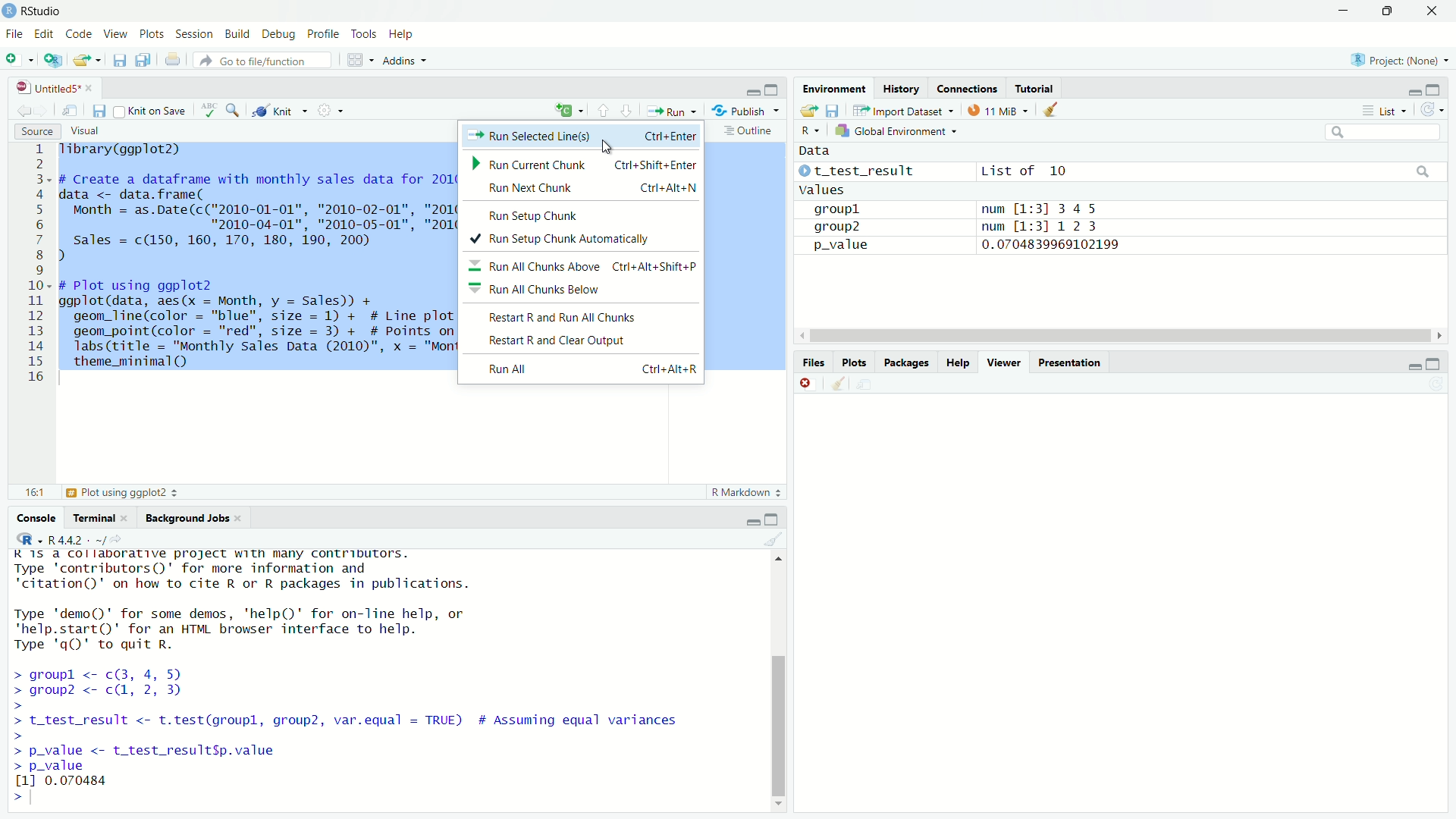 Image resolution: width=1456 pixels, height=819 pixels. I want to click on View, so click(115, 32).